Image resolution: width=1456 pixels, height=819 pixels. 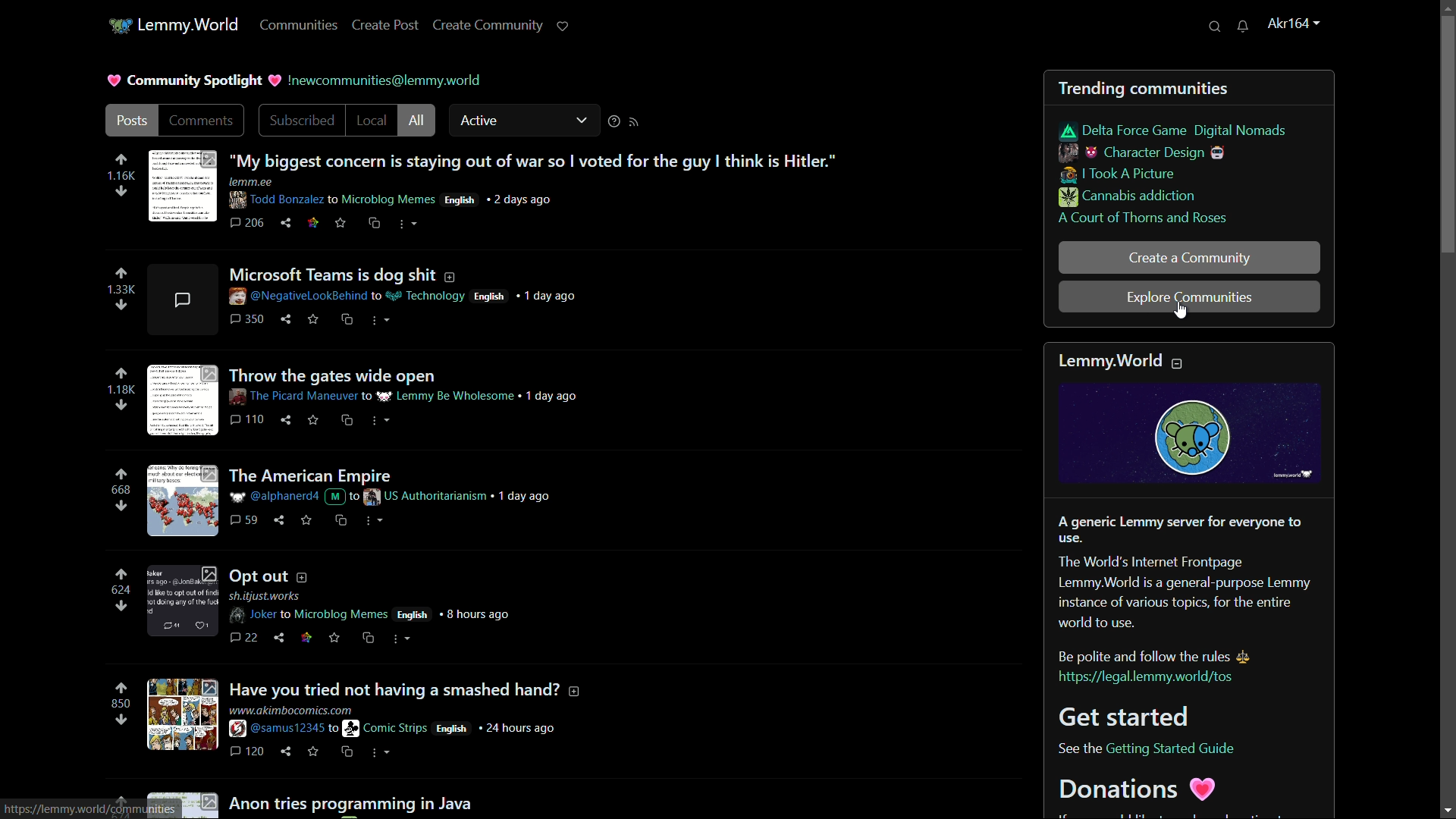 What do you see at coordinates (1443, 135) in the screenshot?
I see `vertical scroll bar` at bounding box center [1443, 135].